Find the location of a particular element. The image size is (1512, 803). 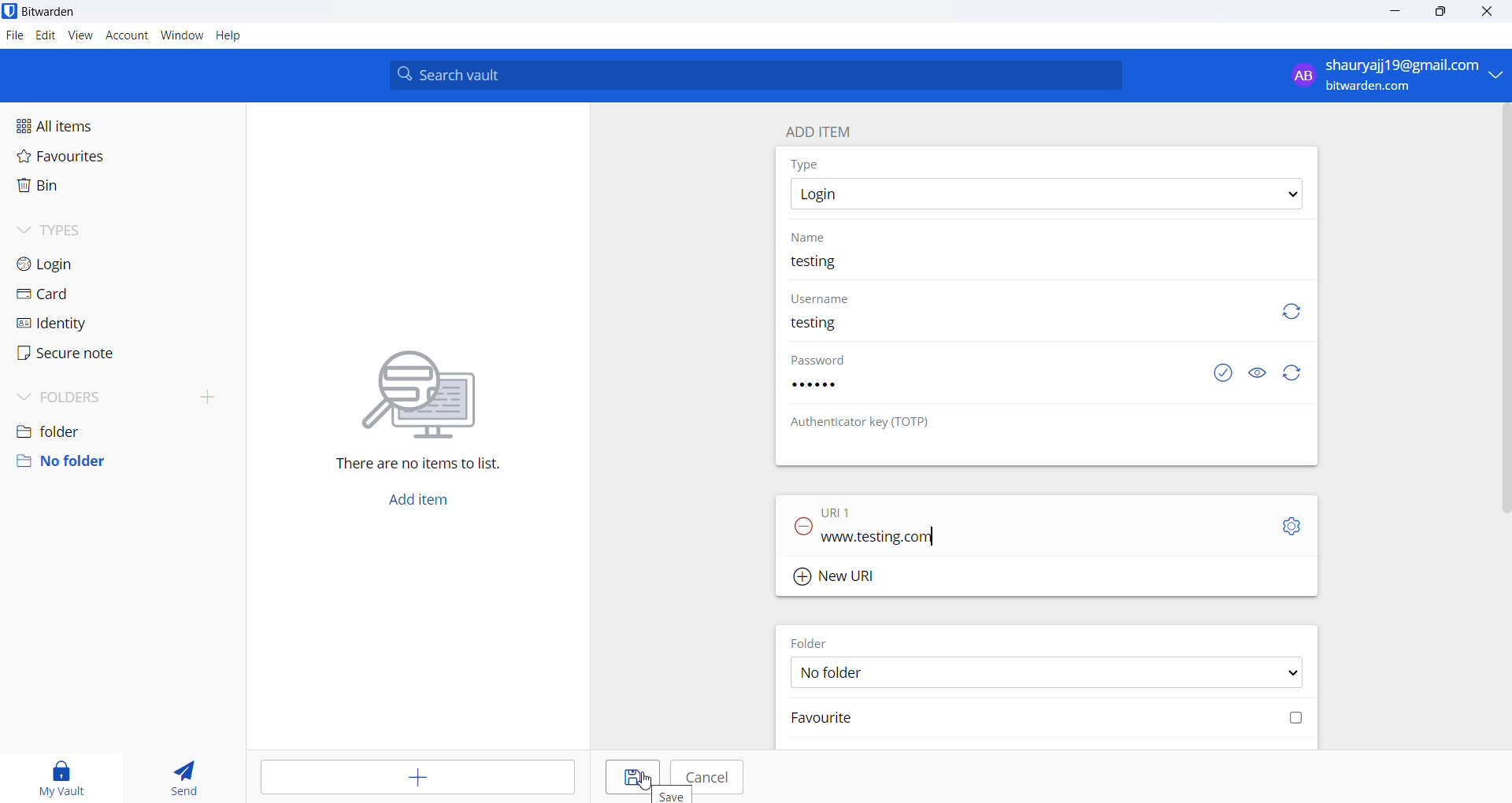

cancel is located at coordinates (706, 774).